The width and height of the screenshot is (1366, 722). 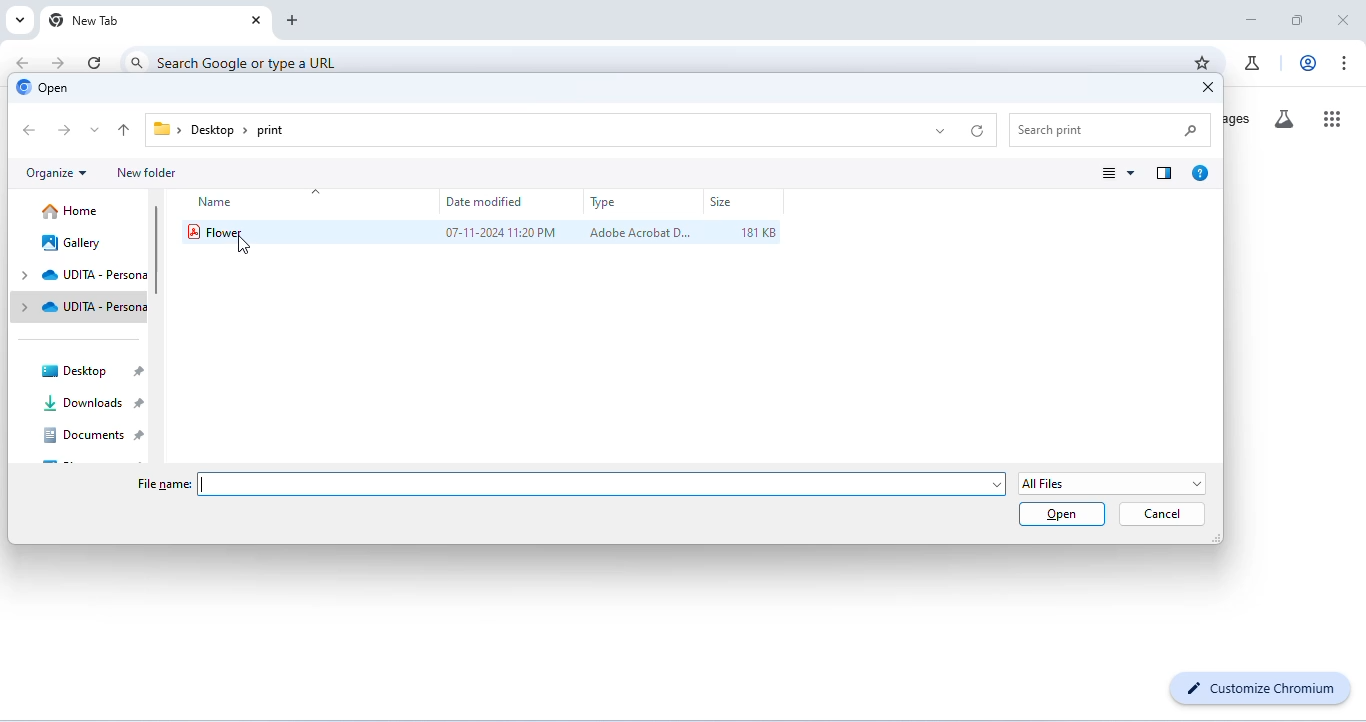 I want to click on go forward, so click(x=60, y=62).